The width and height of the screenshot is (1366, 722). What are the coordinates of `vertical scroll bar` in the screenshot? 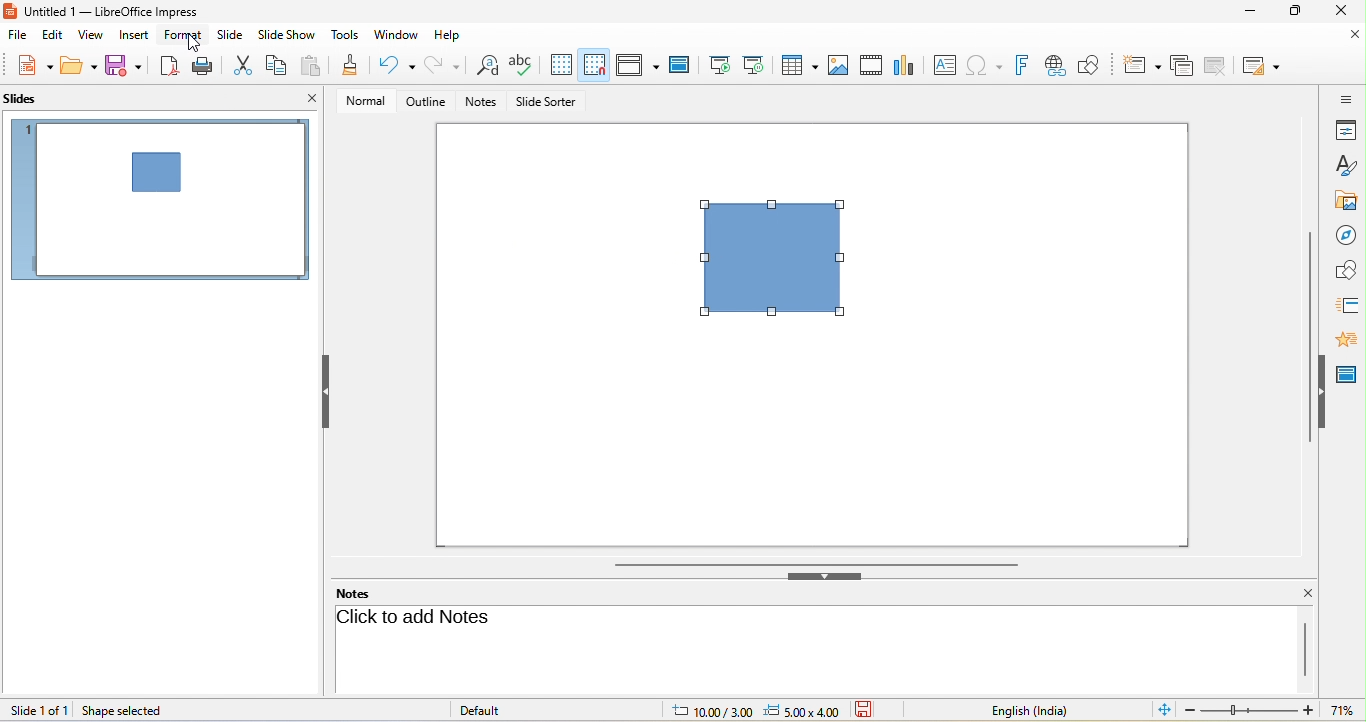 It's located at (1303, 648).